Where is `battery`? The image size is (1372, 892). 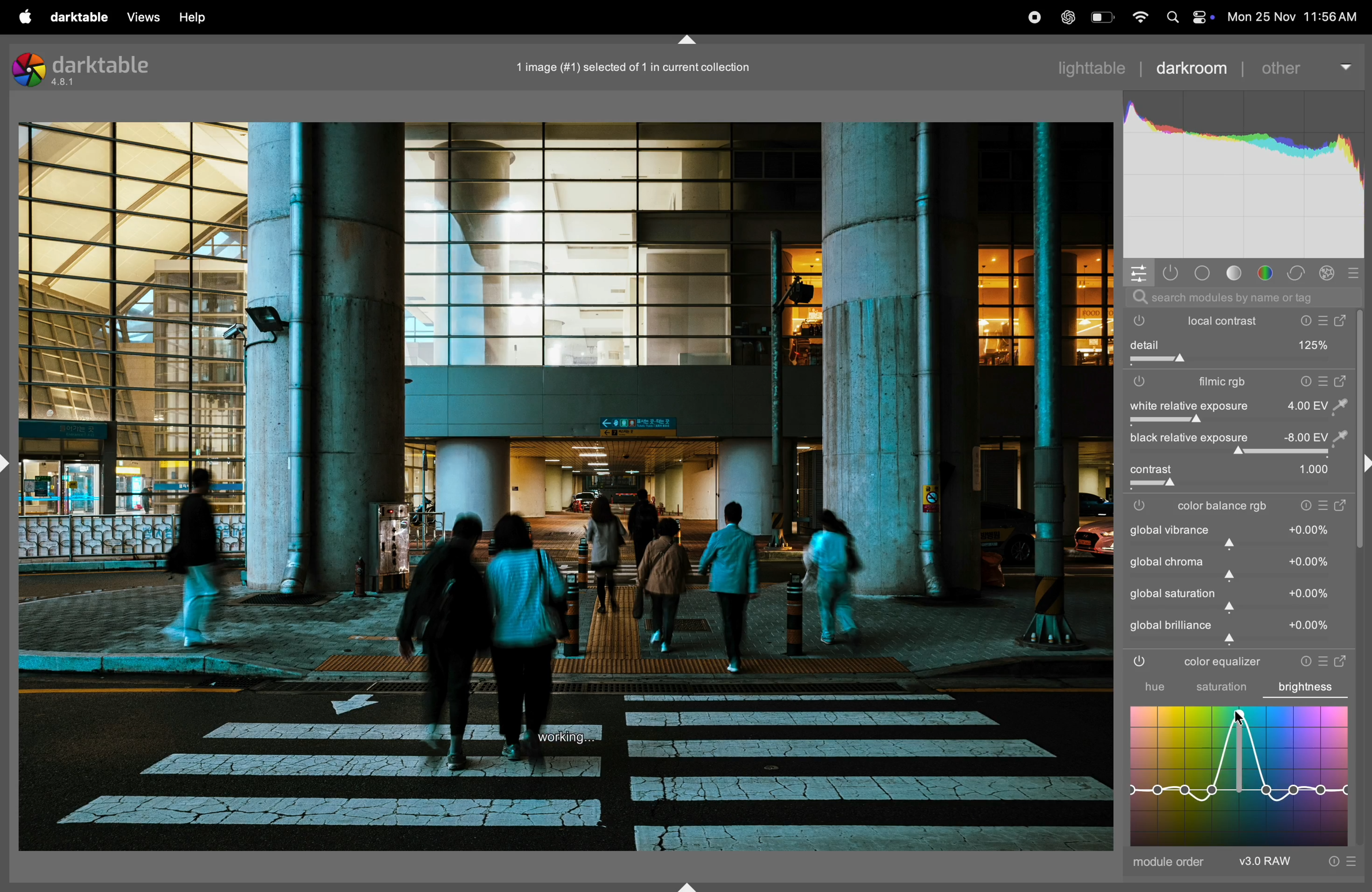
battery is located at coordinates (1101, 17).